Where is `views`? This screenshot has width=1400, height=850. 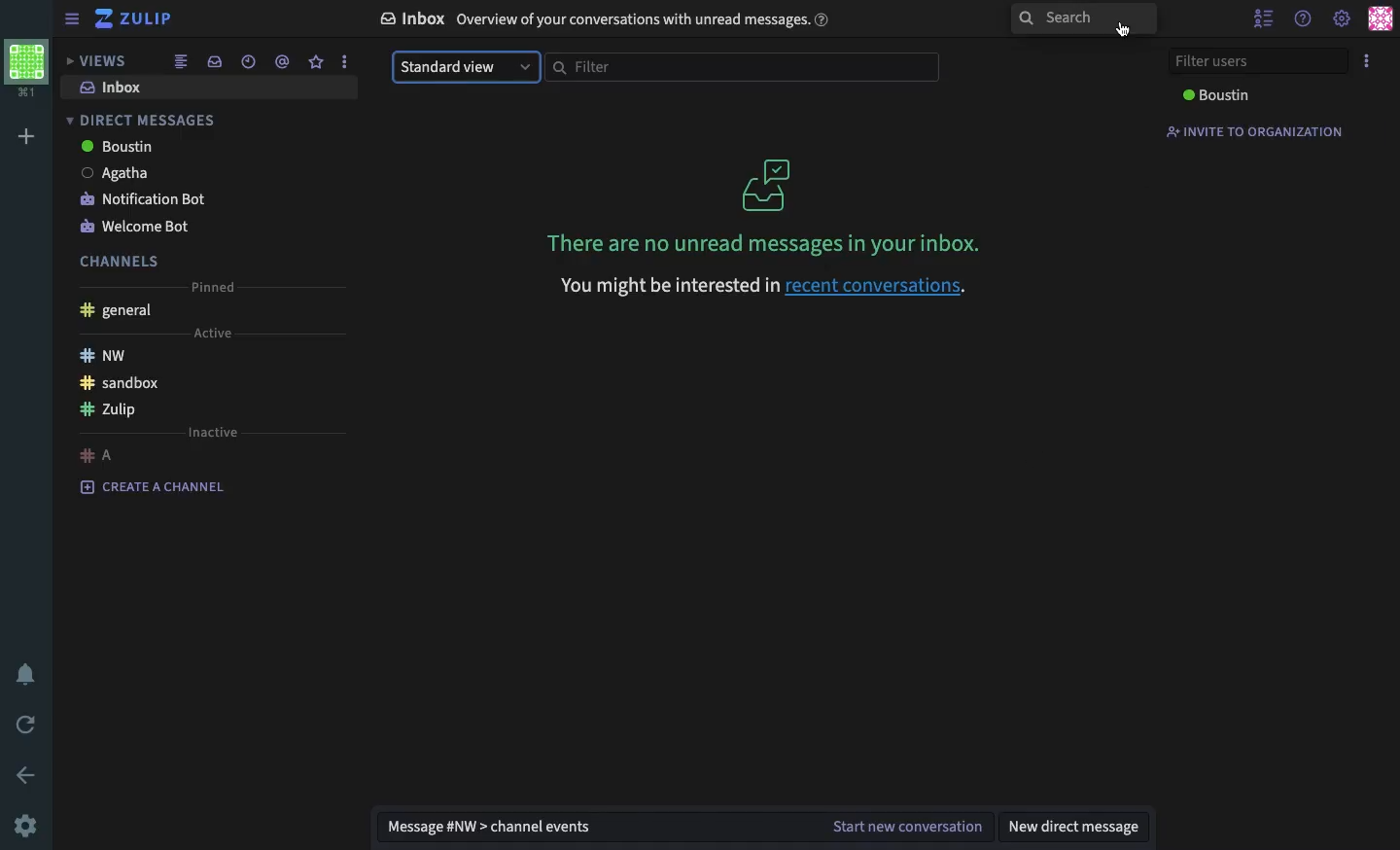
views is located at coordinates (97, 62).